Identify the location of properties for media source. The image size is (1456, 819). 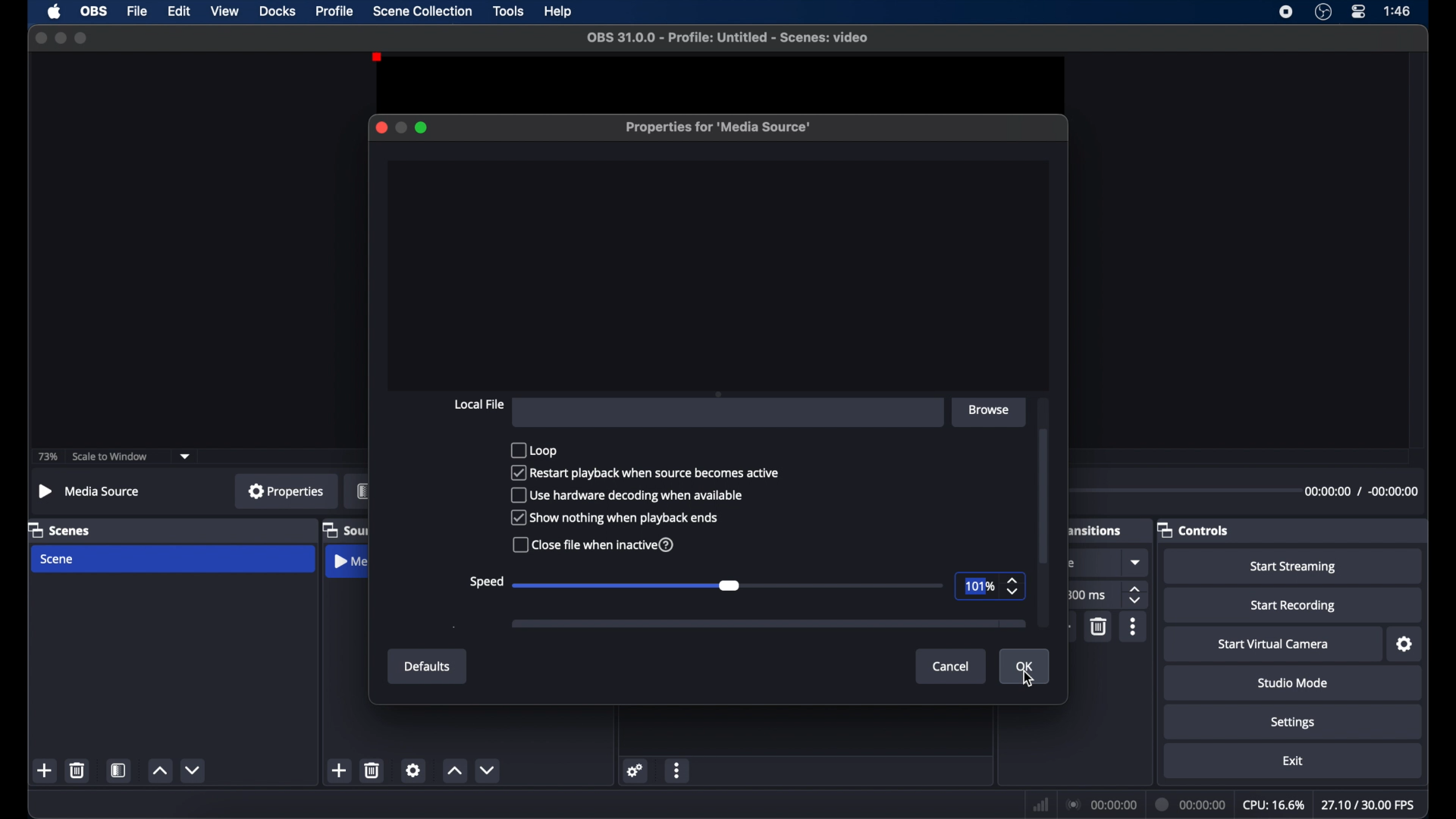
(719, 127).